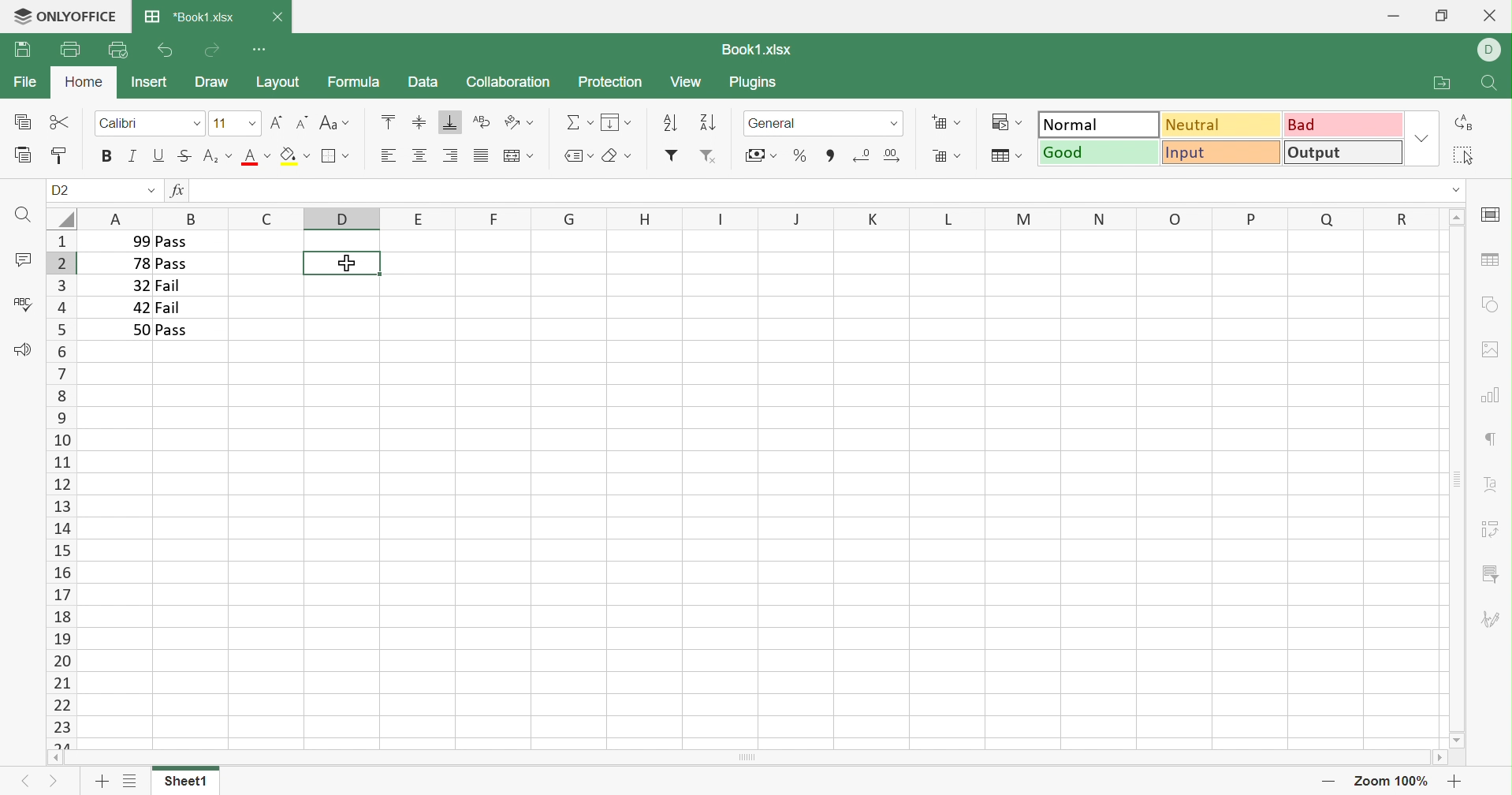  I want to click on Close, so click(277, 19).